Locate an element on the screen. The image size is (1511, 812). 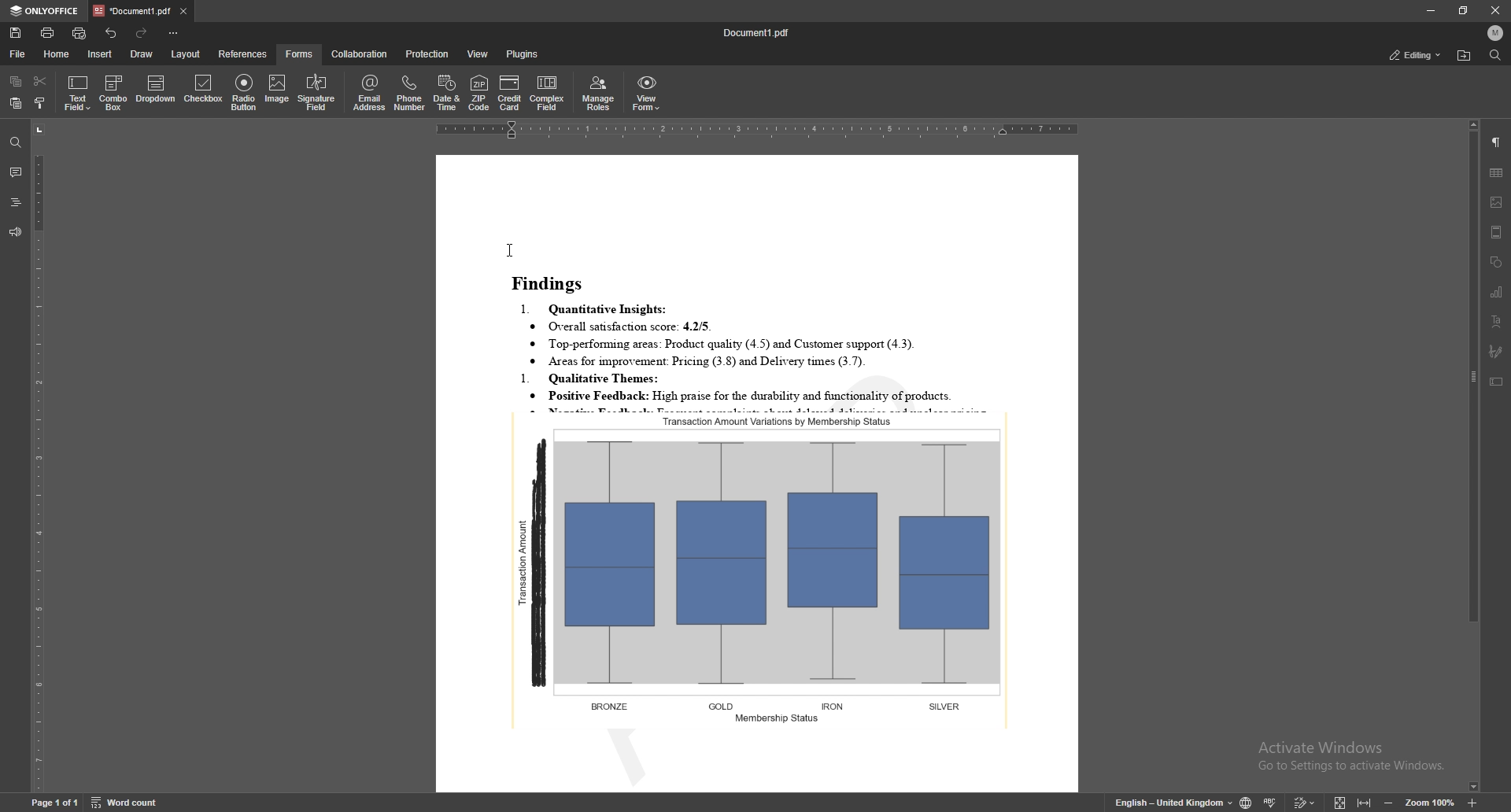
cursor is located at coordinates (511, 249).